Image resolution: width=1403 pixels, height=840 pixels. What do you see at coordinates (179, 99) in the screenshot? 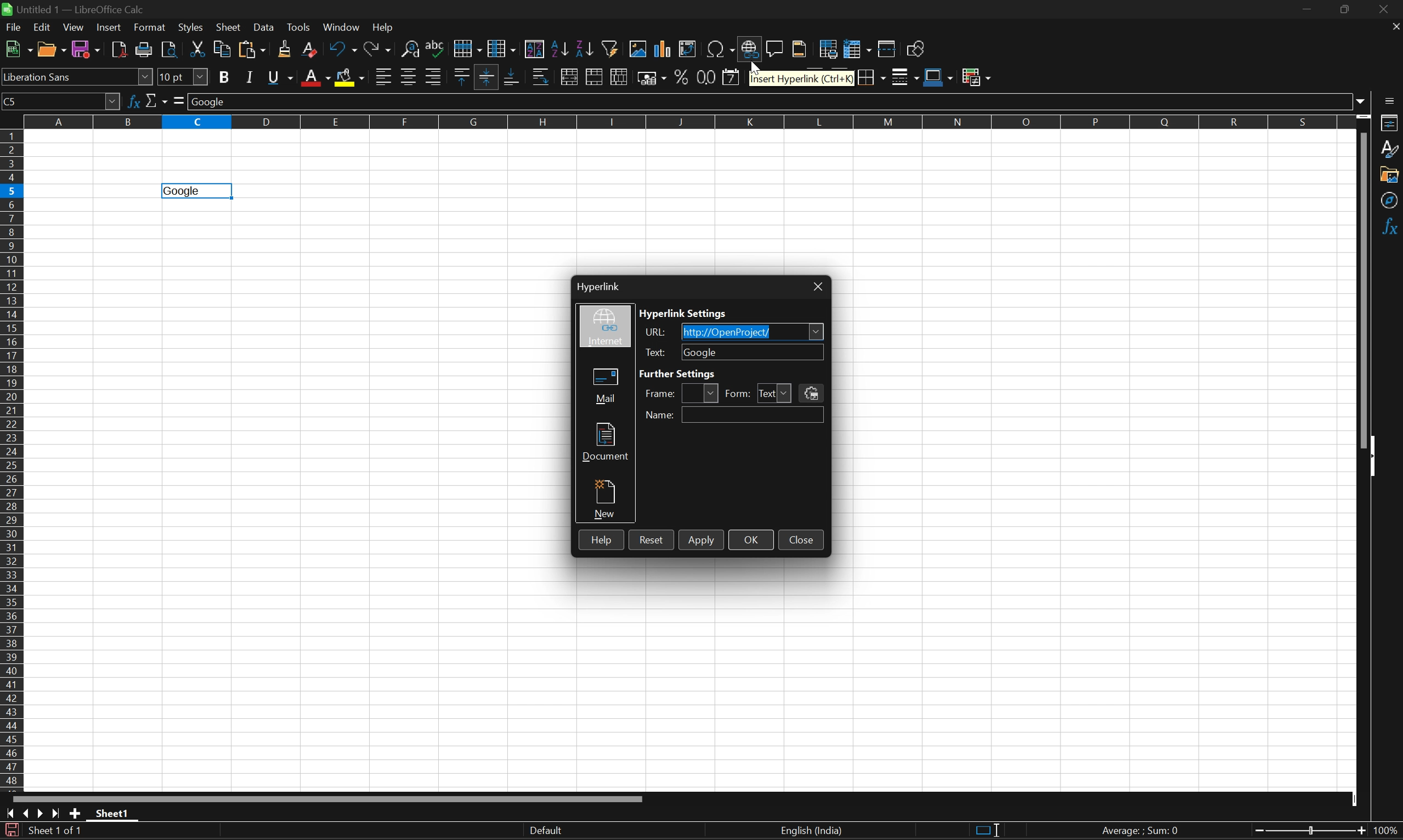
I see `Select formula` at bounding box center [179, 99].